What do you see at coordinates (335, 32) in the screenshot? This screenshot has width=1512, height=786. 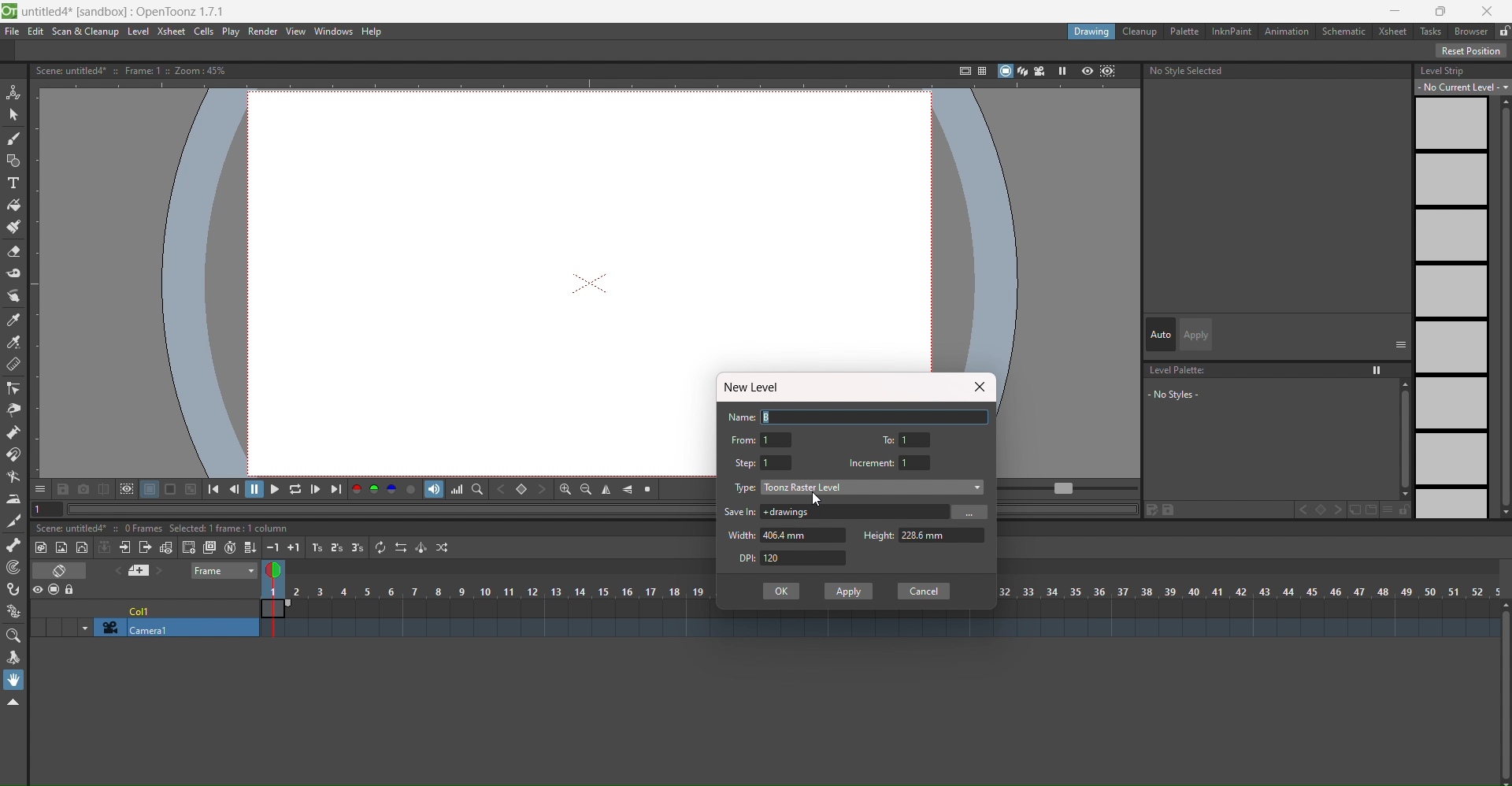 I see `windows` at bounding box center [335, 32].